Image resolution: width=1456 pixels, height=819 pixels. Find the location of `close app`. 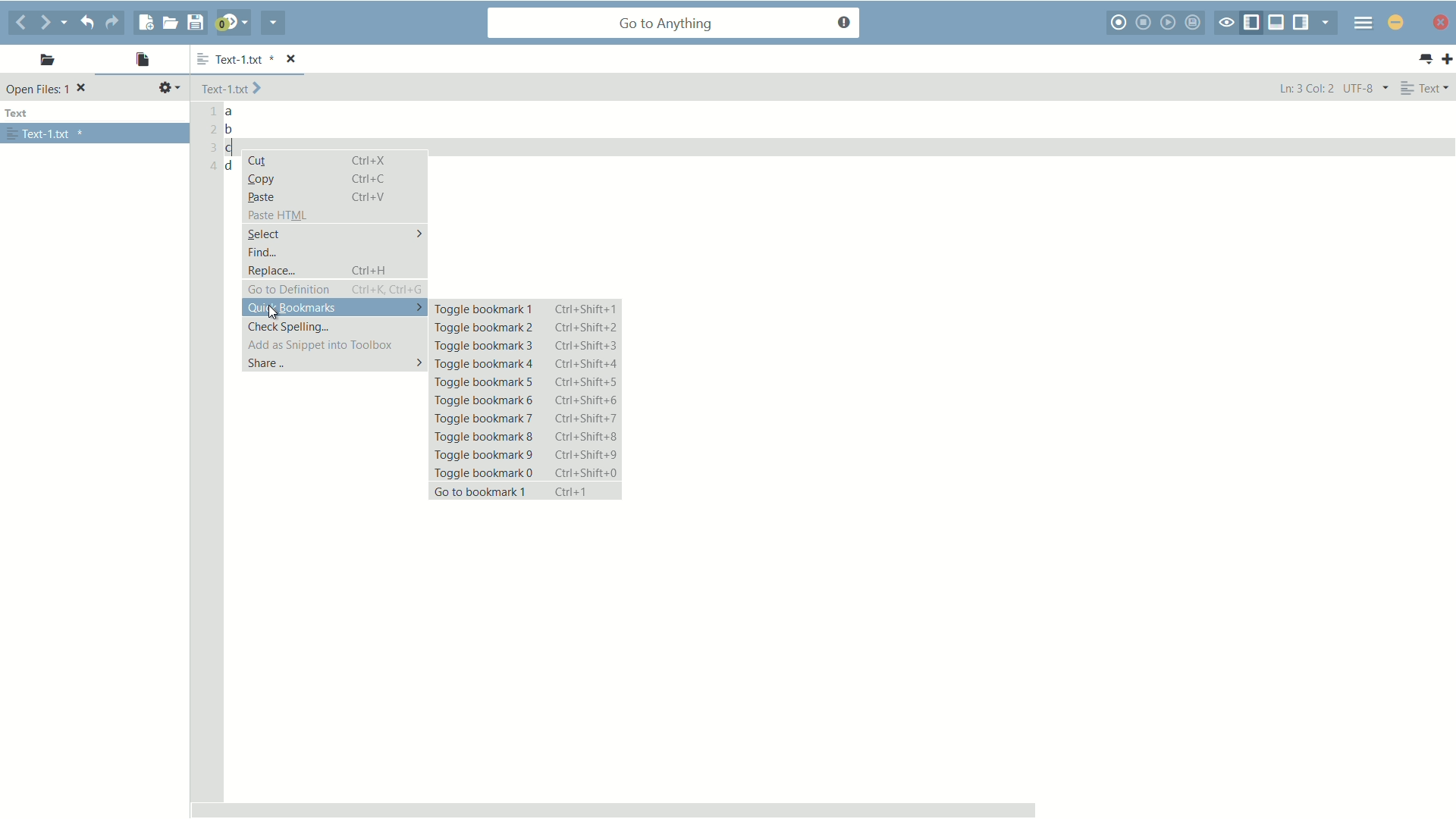

close app is located at coordinates (1395, 21).